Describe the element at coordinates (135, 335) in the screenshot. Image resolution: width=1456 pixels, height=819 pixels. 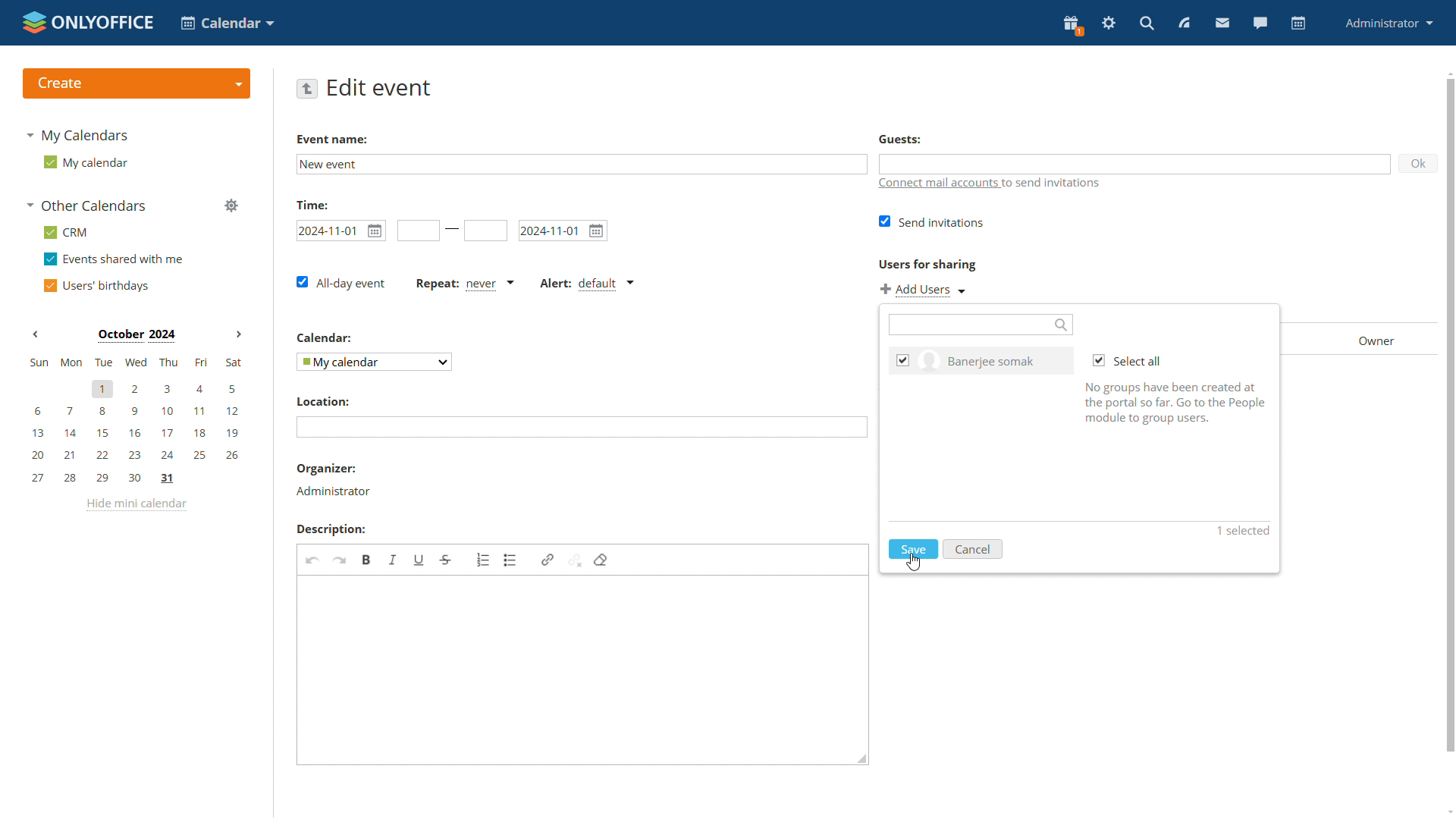
I see `Month on display` at that location.